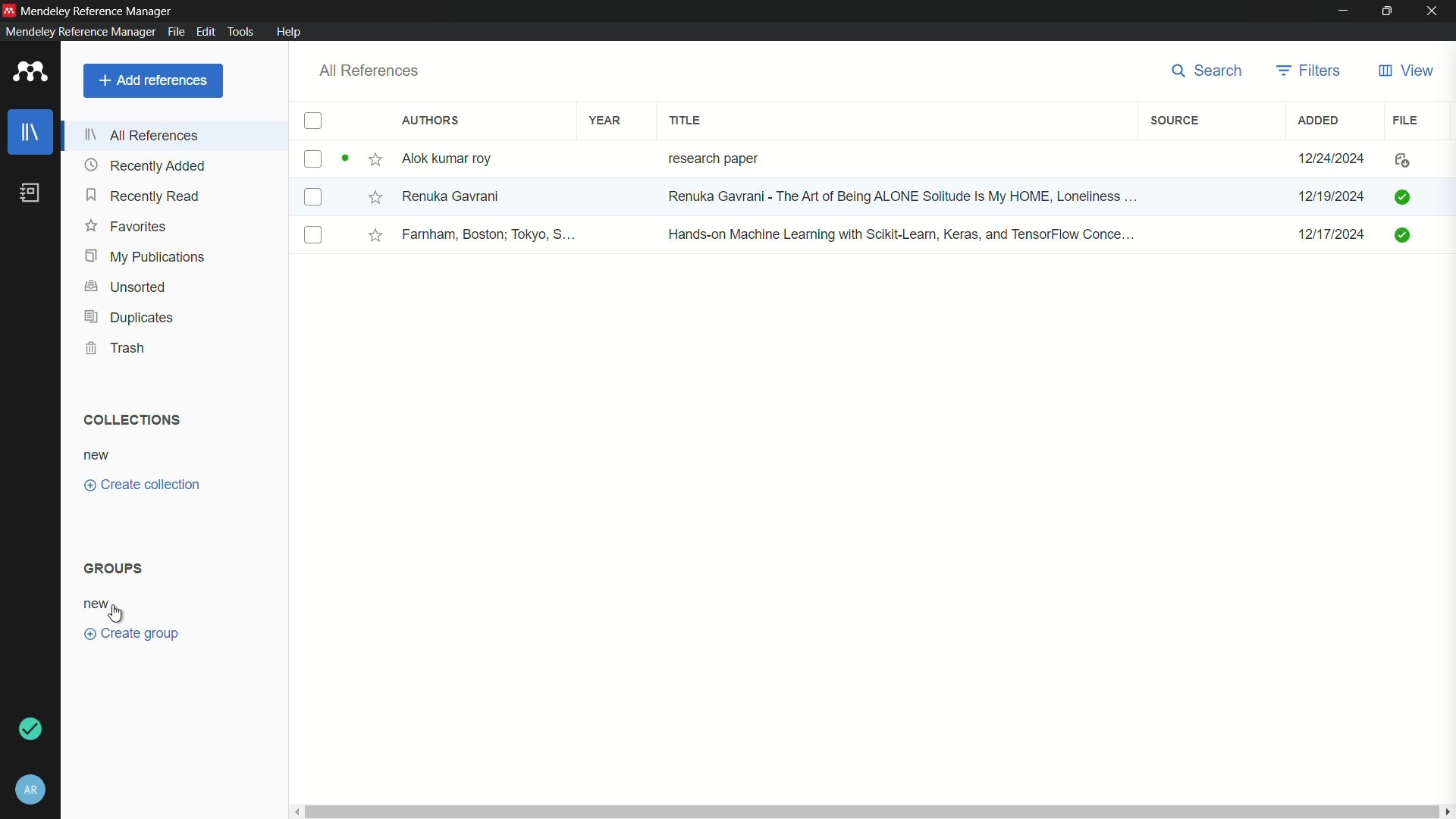 The height and width of the screenshot is (819, 1456). I want to click on search, so click(1202, 71).